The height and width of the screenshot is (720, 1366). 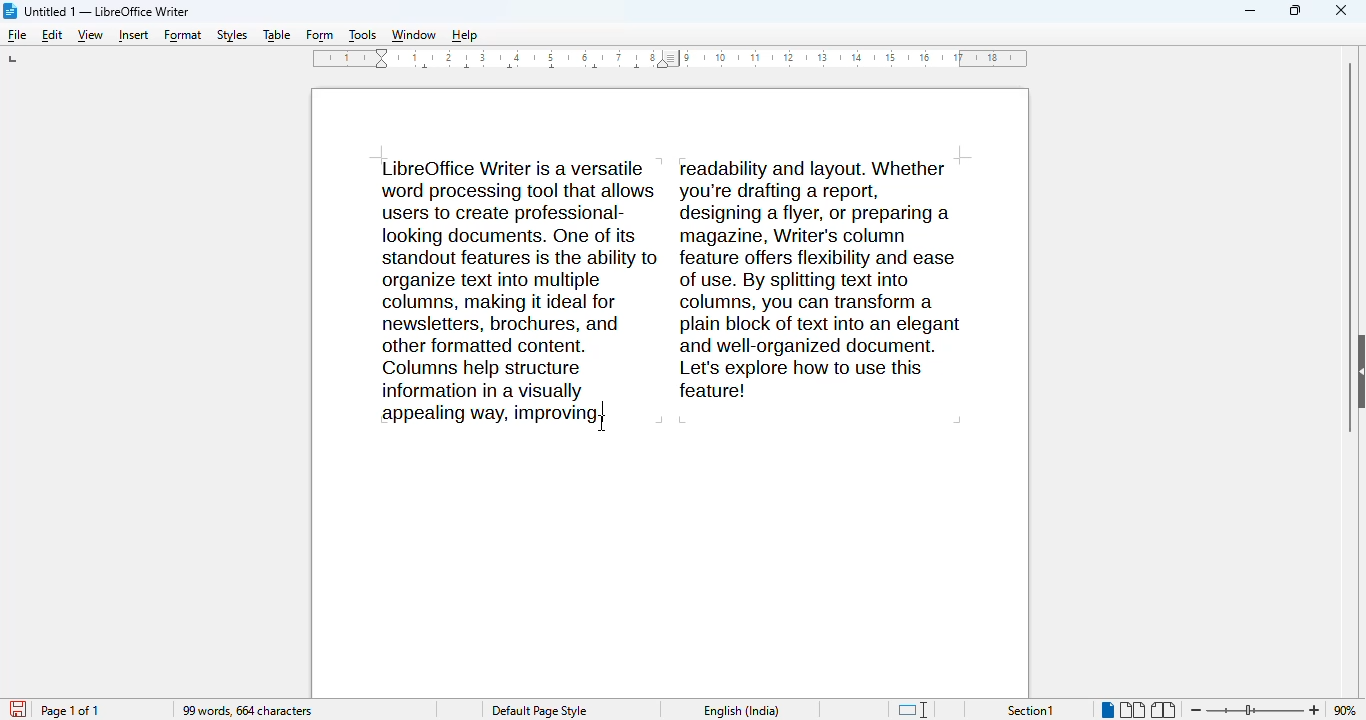 What do you see at coordinates (382, 58) in the screenshot?
I see `Indent markers` at bounding box center [382, 58].